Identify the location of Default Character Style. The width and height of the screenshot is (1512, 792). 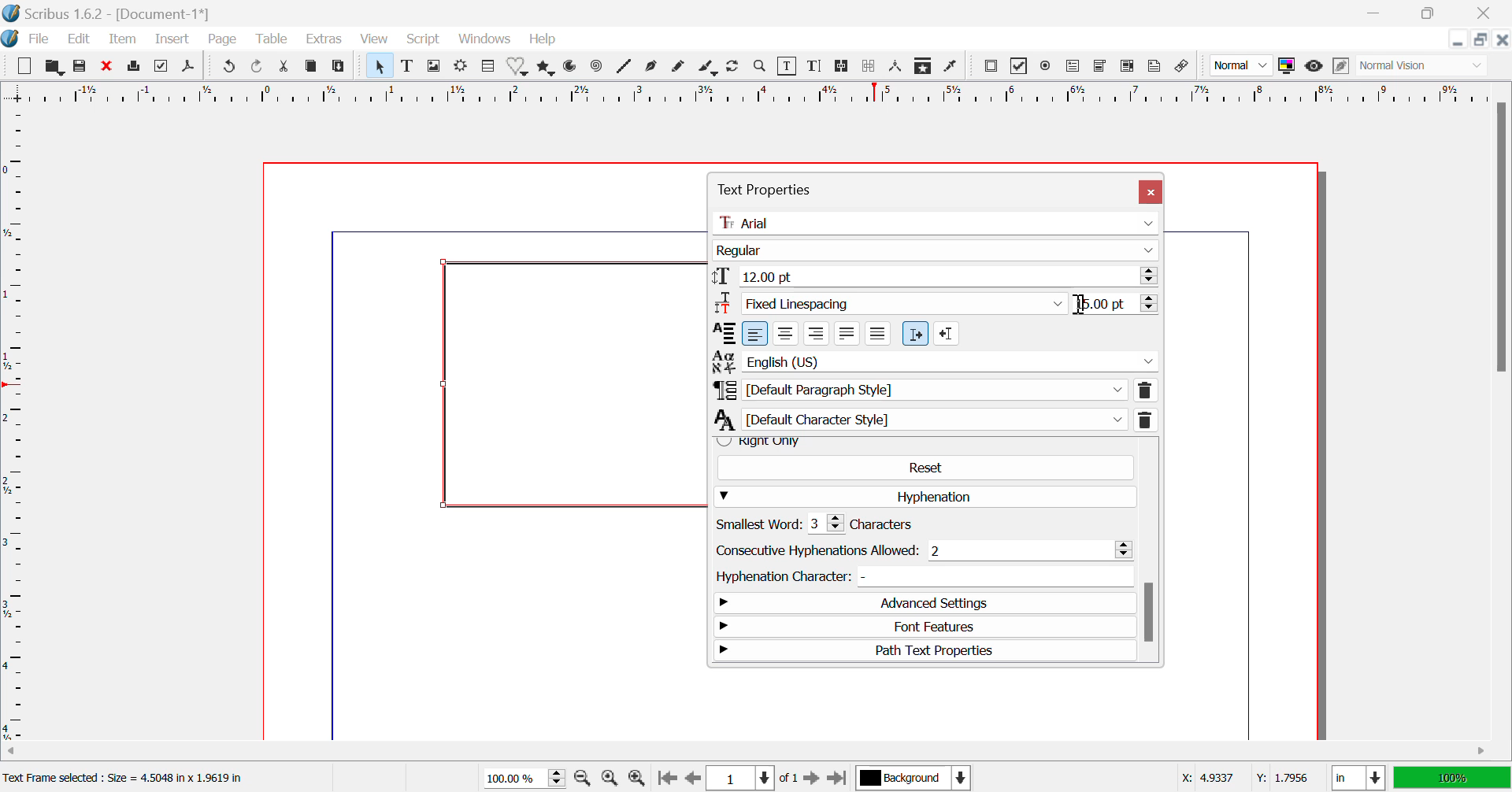
(936, 419).